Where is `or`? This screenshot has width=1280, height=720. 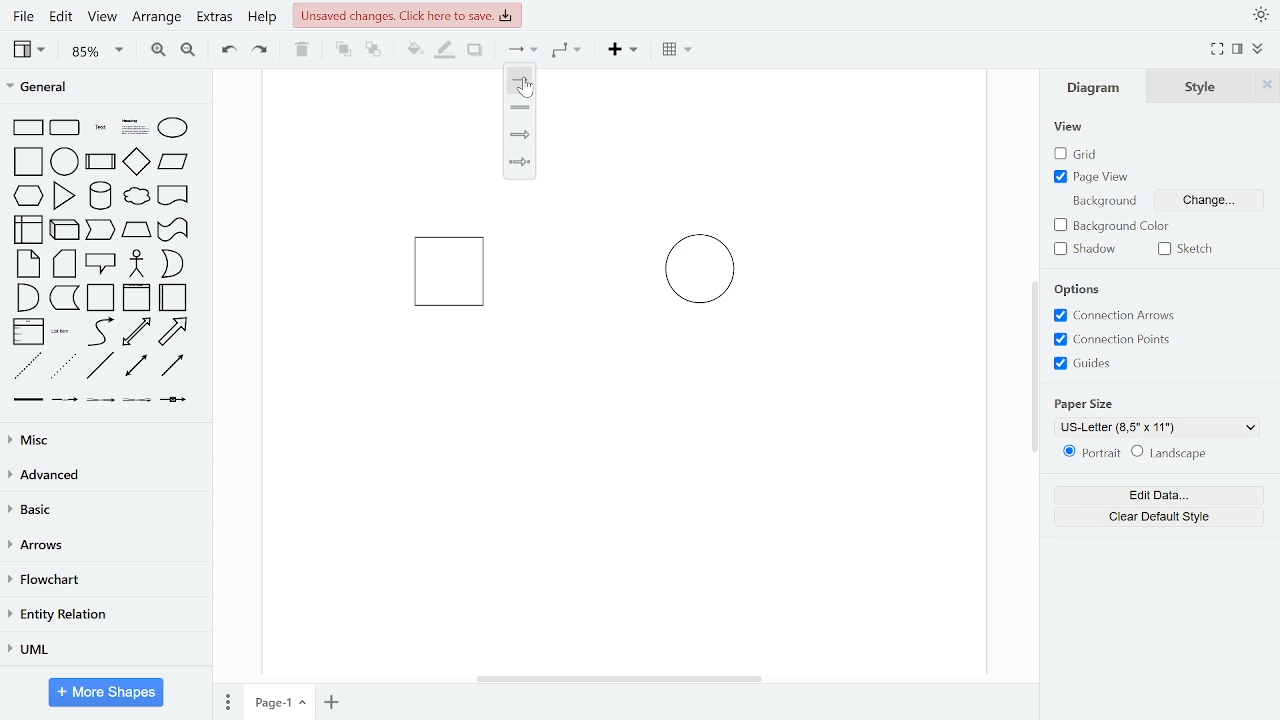
or is located at coordinates (172, 264).